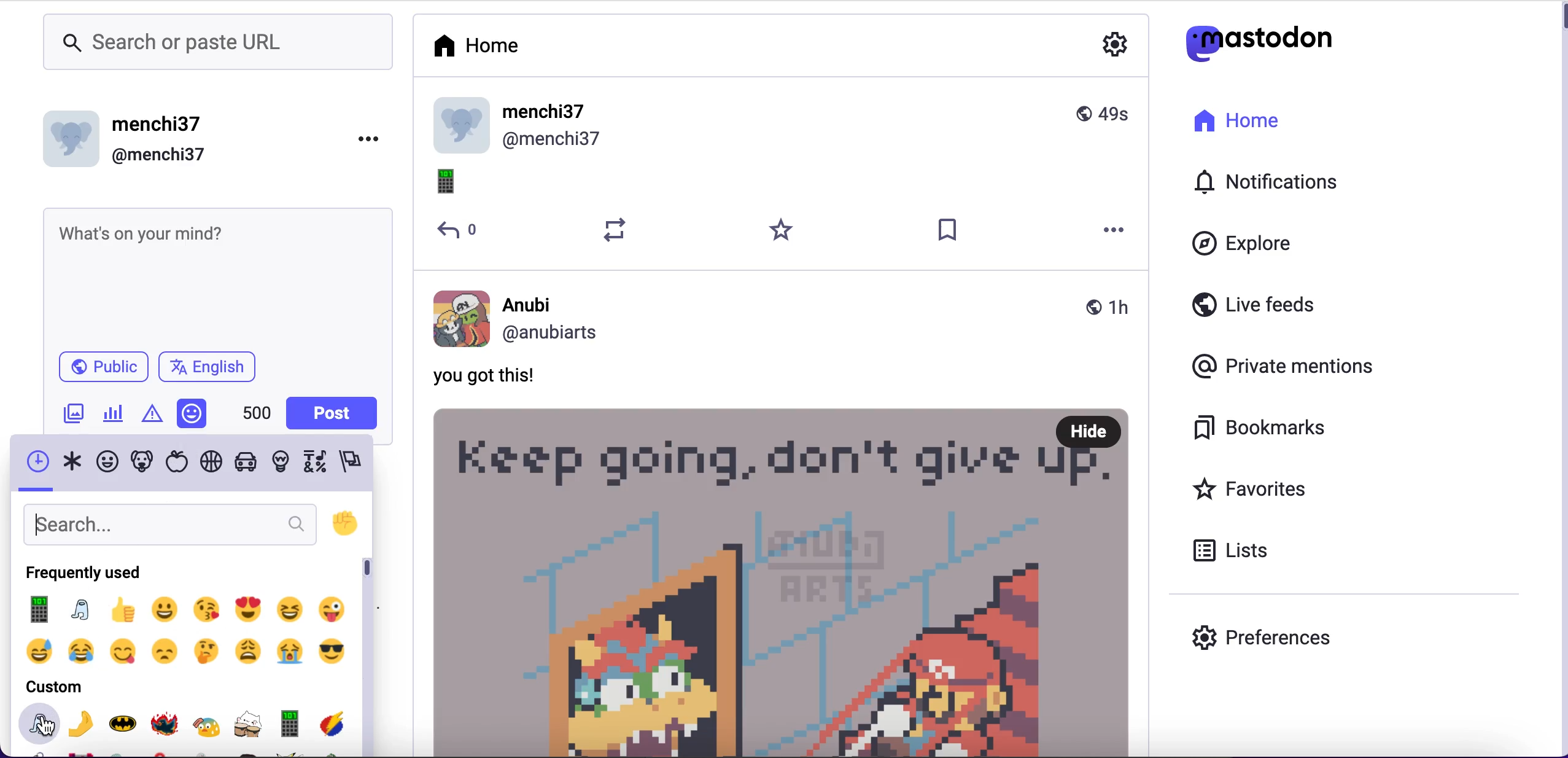  I want to click on emoji, so click(456, 184).